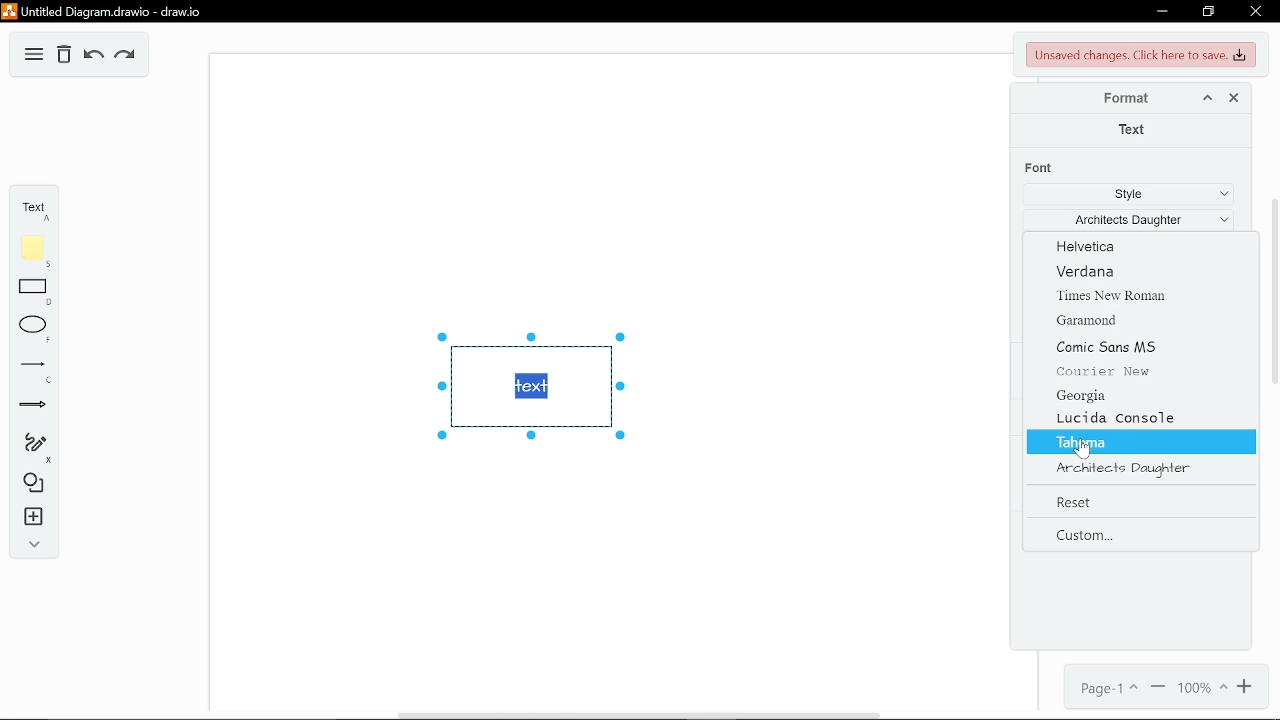 This screenshot has width=1280, height=720. What do you see at coordinates (34, 54) in the screenshot?
I see `diagram` at bounding box center [34, 54].